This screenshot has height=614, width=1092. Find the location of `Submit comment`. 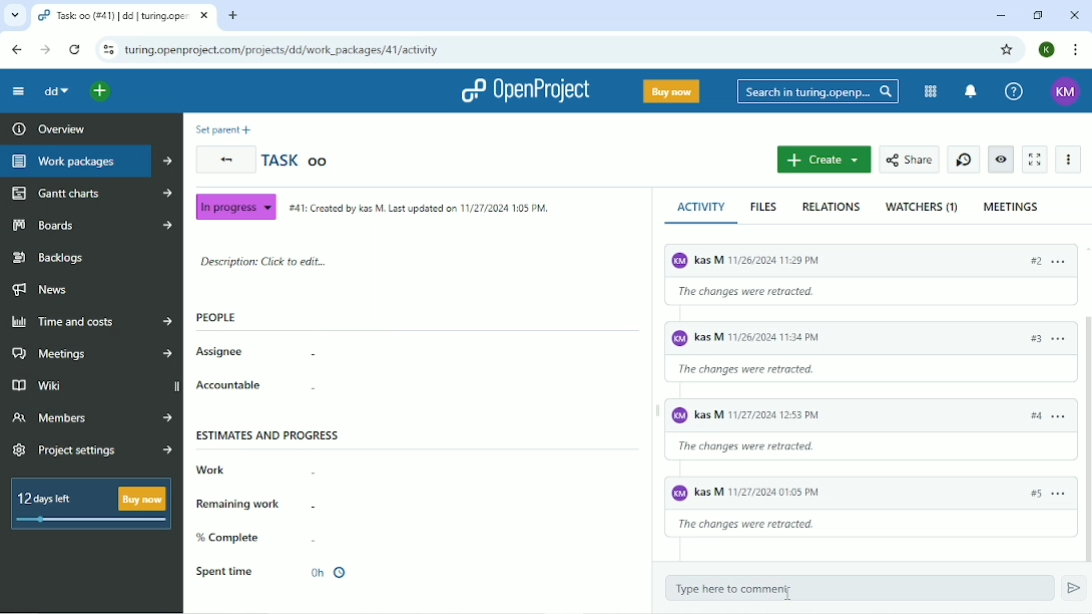

Submit comment is located at coordinates (1074, 589).